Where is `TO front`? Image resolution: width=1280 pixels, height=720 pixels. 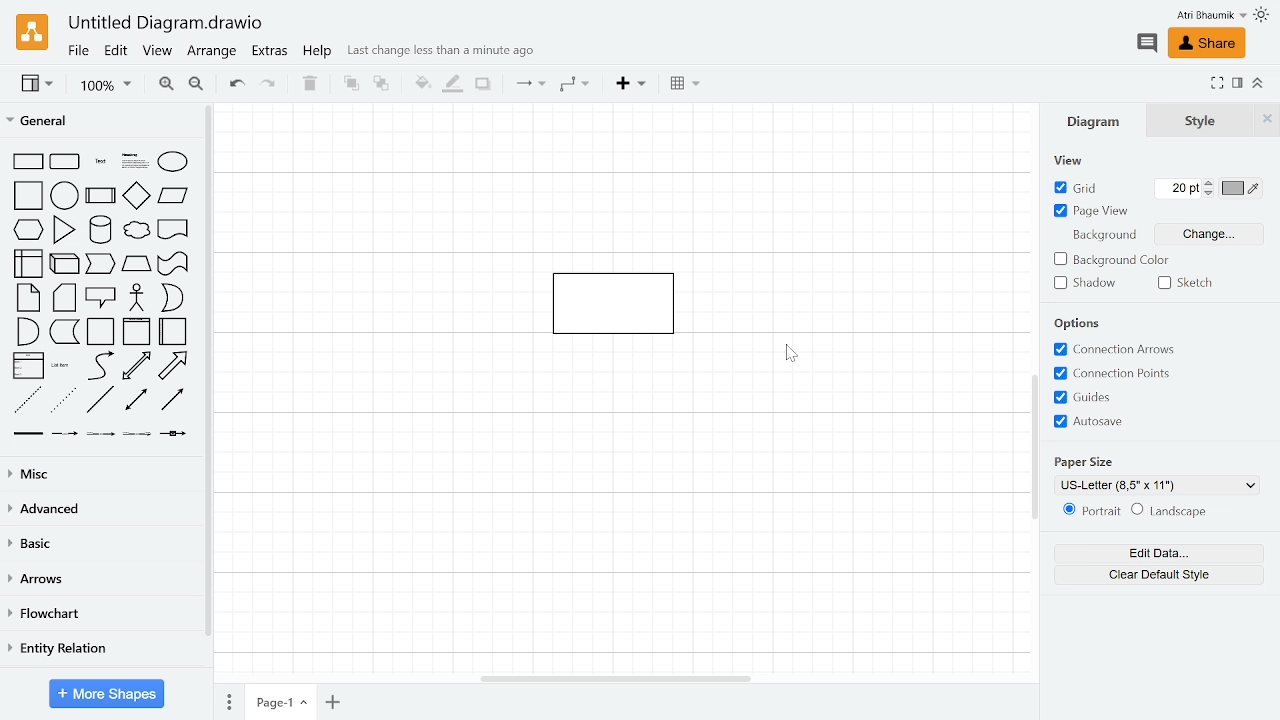
TO front is located at coordinates (352, 85).